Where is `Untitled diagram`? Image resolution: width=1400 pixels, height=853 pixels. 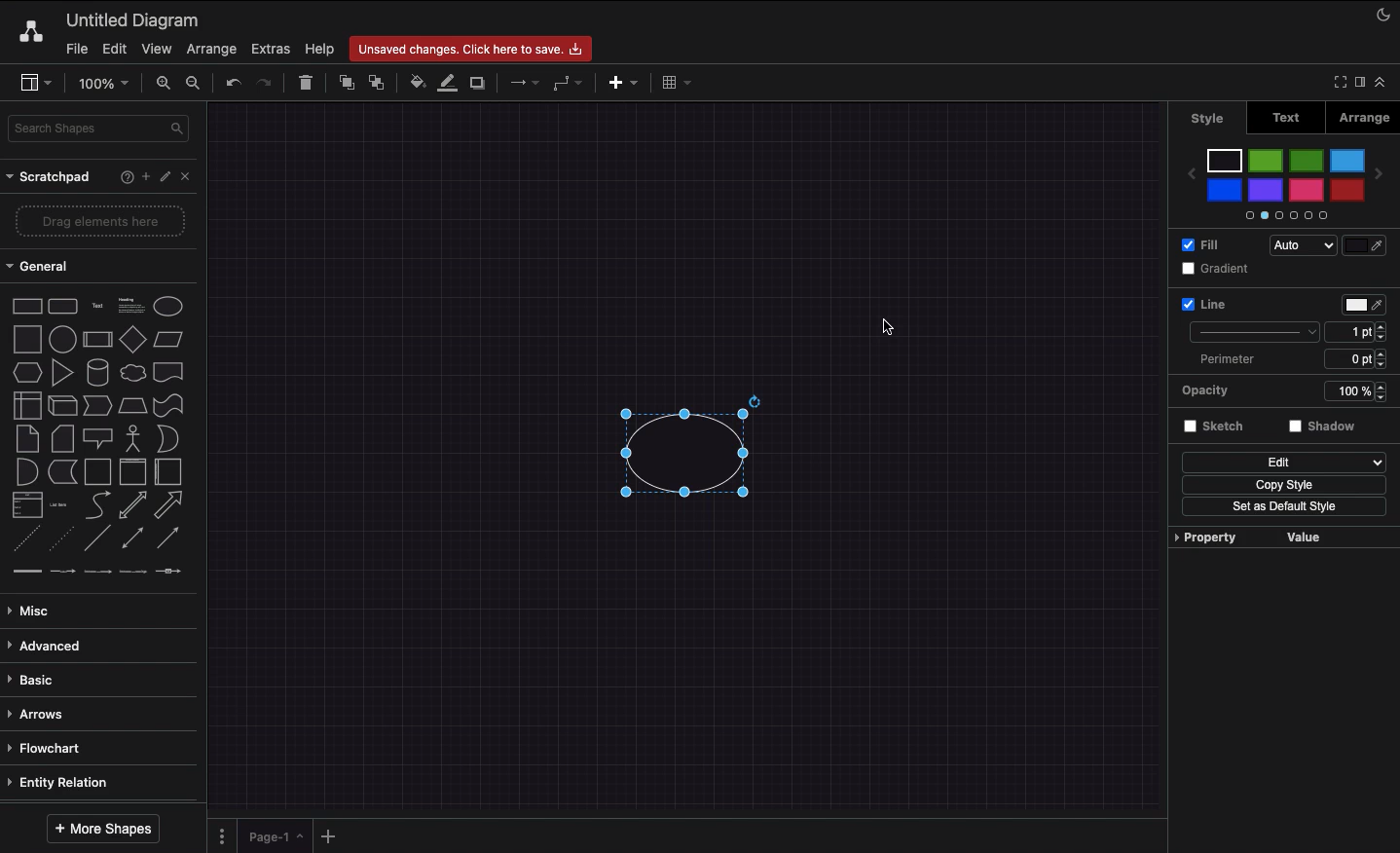 Untitled diagram is located at coordinates (133, 19).